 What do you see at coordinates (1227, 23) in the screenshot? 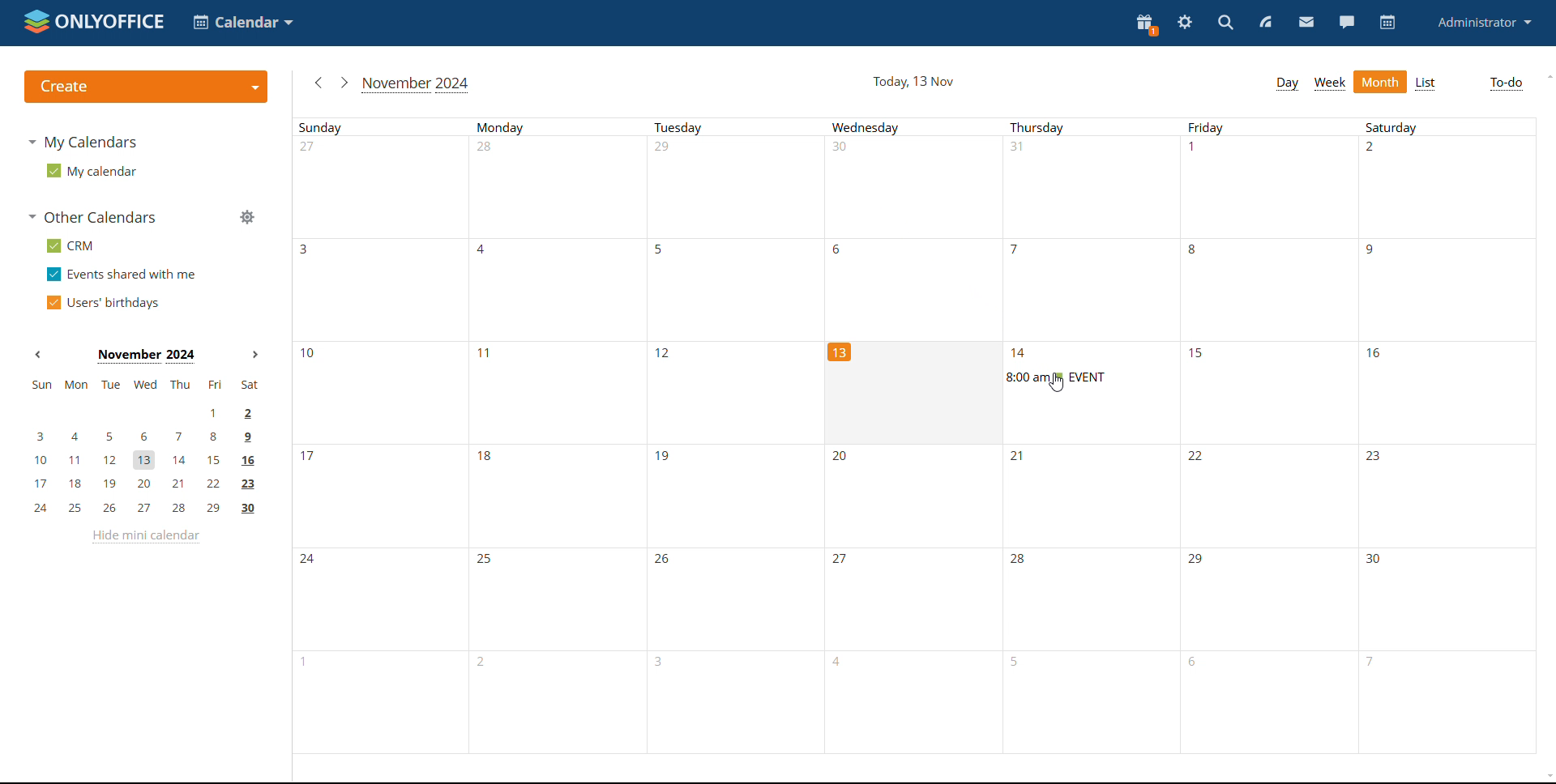
I see `search` at bounding box center [1227, 23].